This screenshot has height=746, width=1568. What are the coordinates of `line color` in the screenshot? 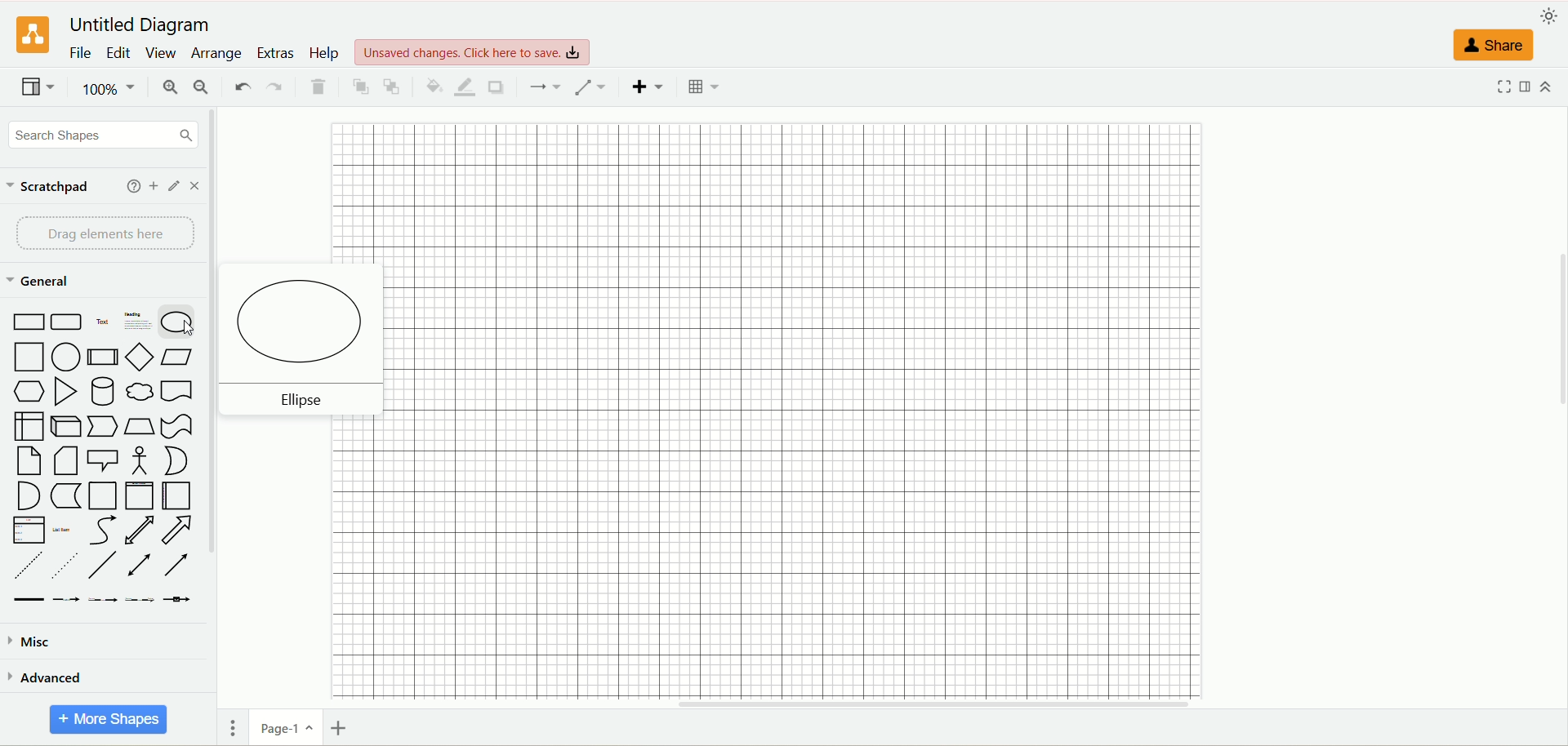 It's located at (465, 87).